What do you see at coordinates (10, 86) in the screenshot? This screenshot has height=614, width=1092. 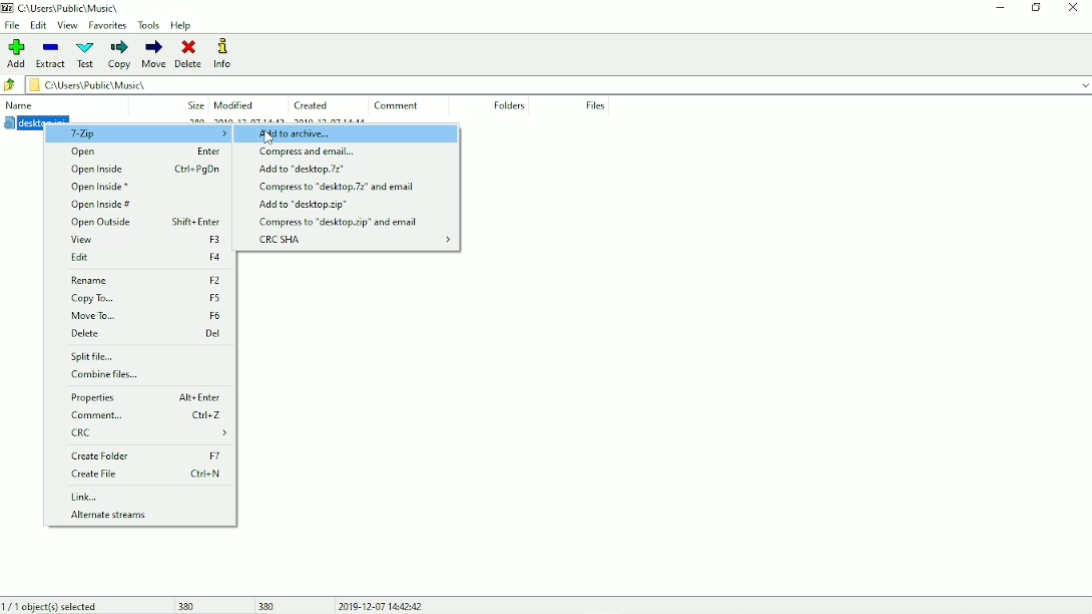 I see `Back` at bounding box center [10, 86].